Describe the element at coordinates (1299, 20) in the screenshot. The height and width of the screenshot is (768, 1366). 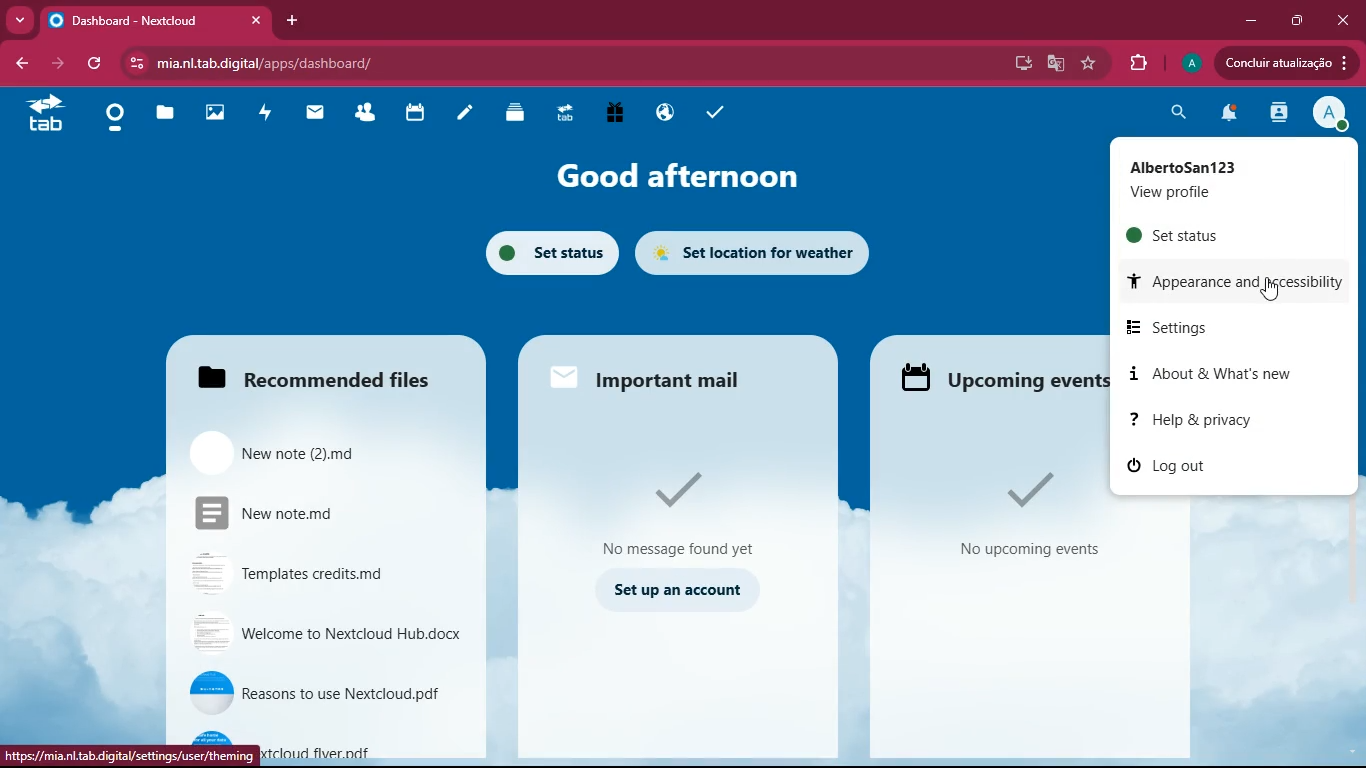
I see `maximize` at that location.